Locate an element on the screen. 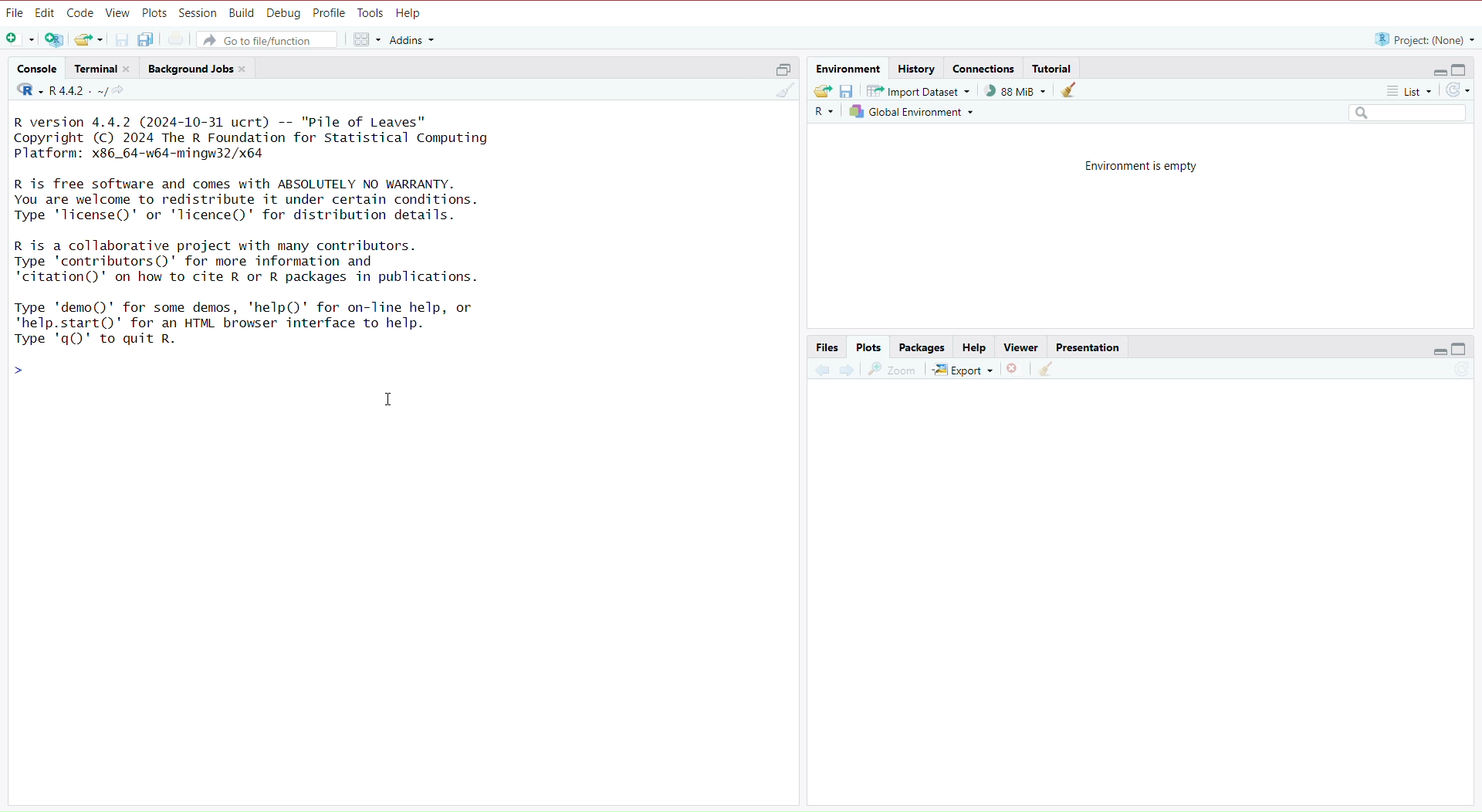 The width and height of the screenshot is (1482, 812). clear object from workspace is located at coordinates (1071, 92).